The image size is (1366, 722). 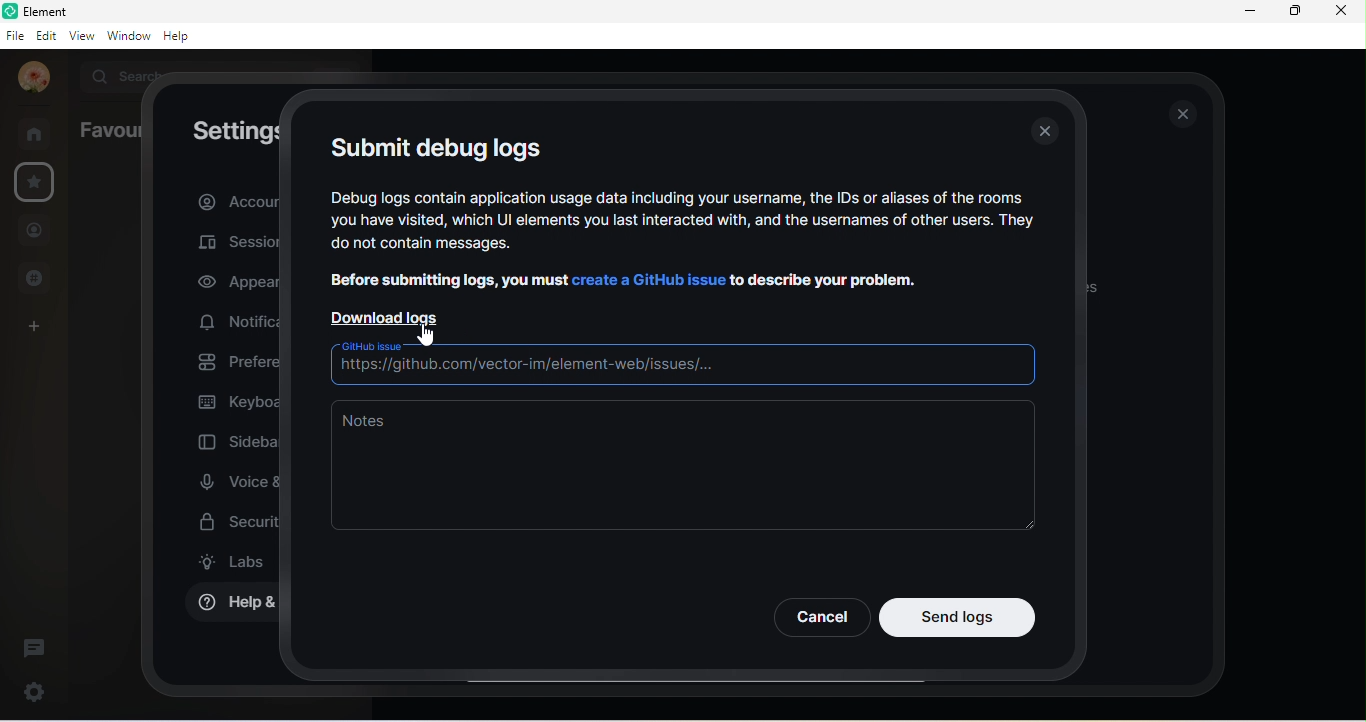 I want to click on maximize, so click(x=1294, y=12).